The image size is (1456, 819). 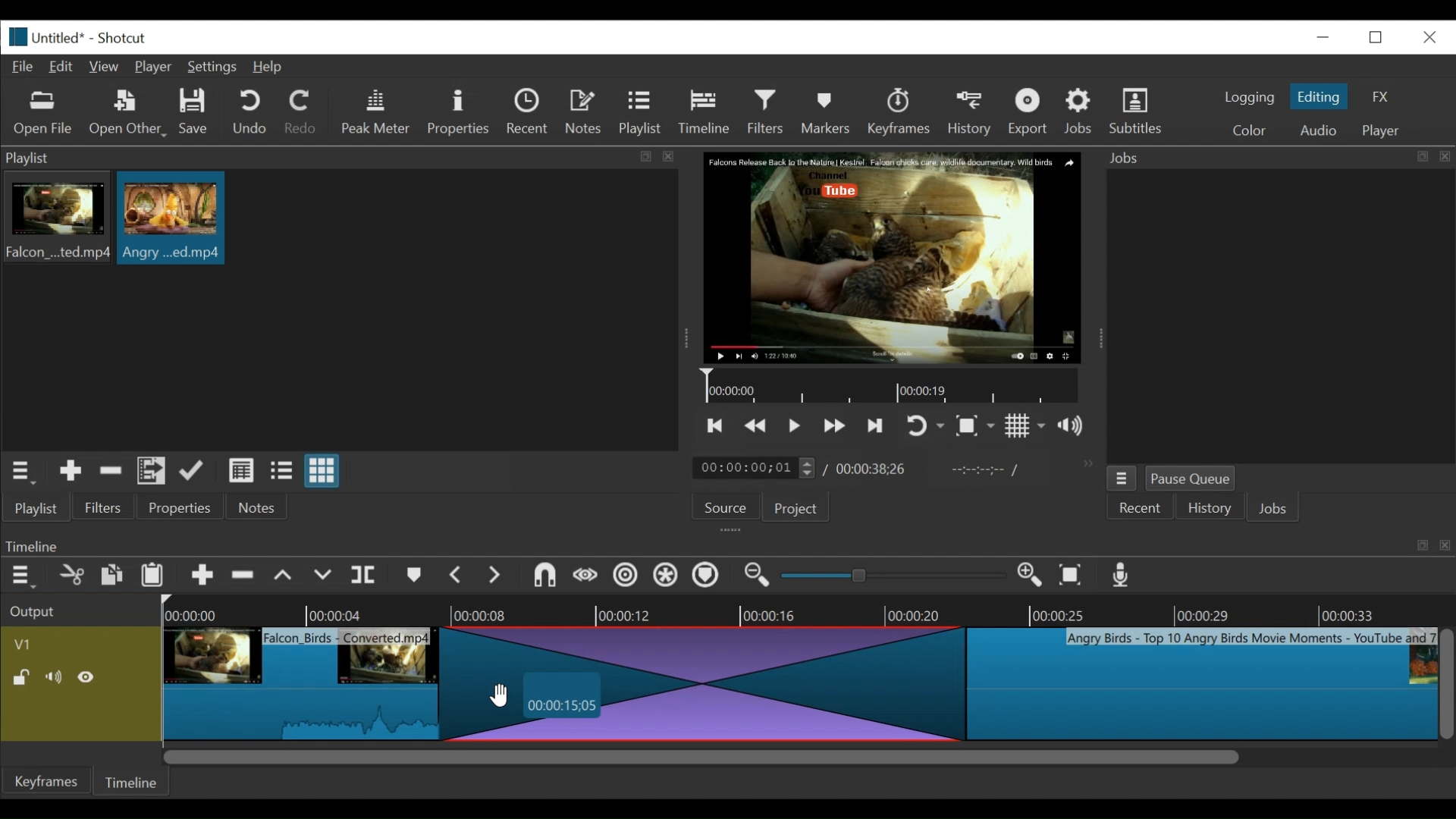 I want to click on (un)lock track, so click(x=21, y=677).